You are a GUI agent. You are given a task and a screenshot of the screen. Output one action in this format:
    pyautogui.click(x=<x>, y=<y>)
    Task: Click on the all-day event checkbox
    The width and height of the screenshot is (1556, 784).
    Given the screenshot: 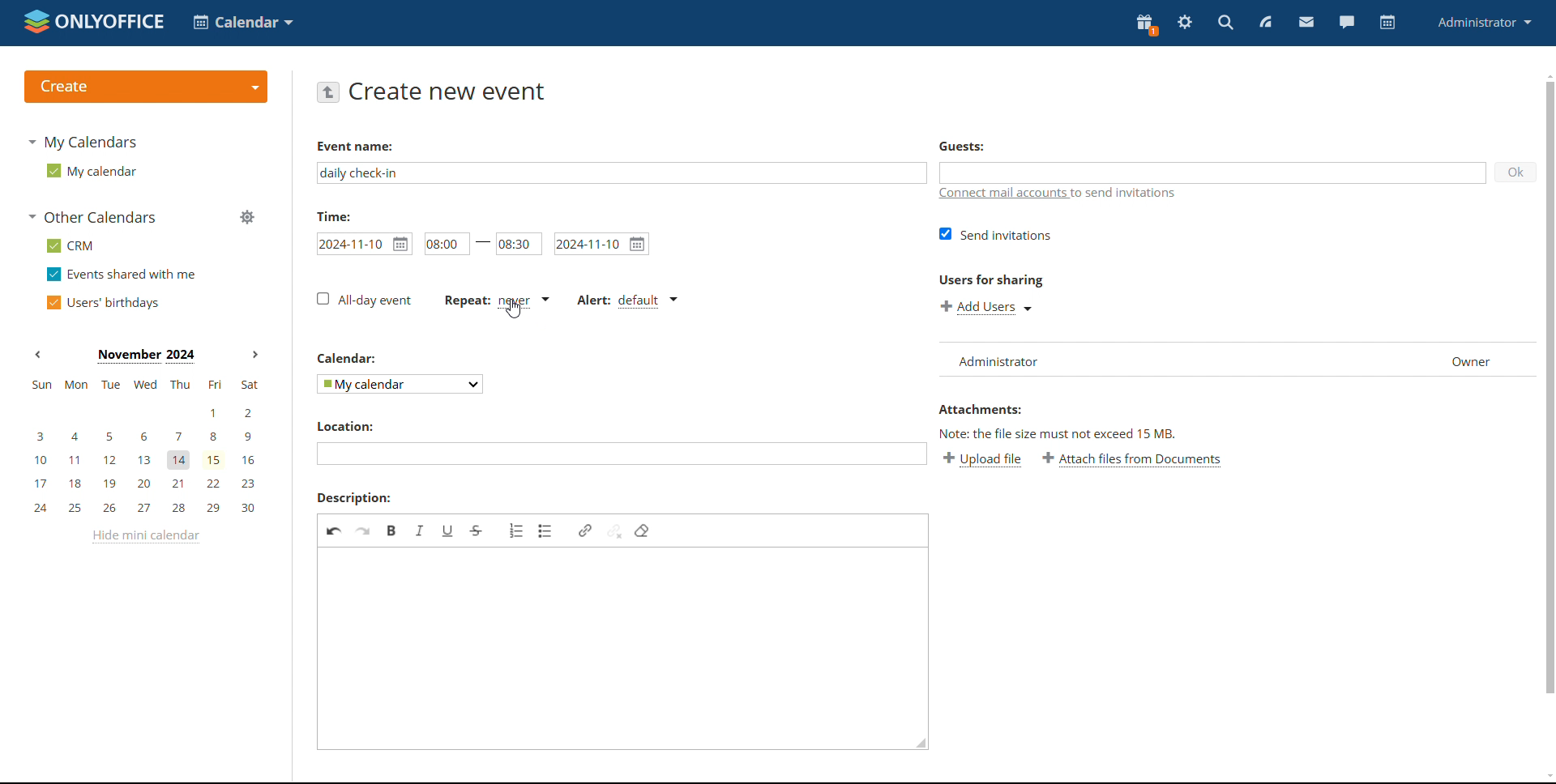 What is the action you would take?
    pyautogui.click(x=362, y=300)
    